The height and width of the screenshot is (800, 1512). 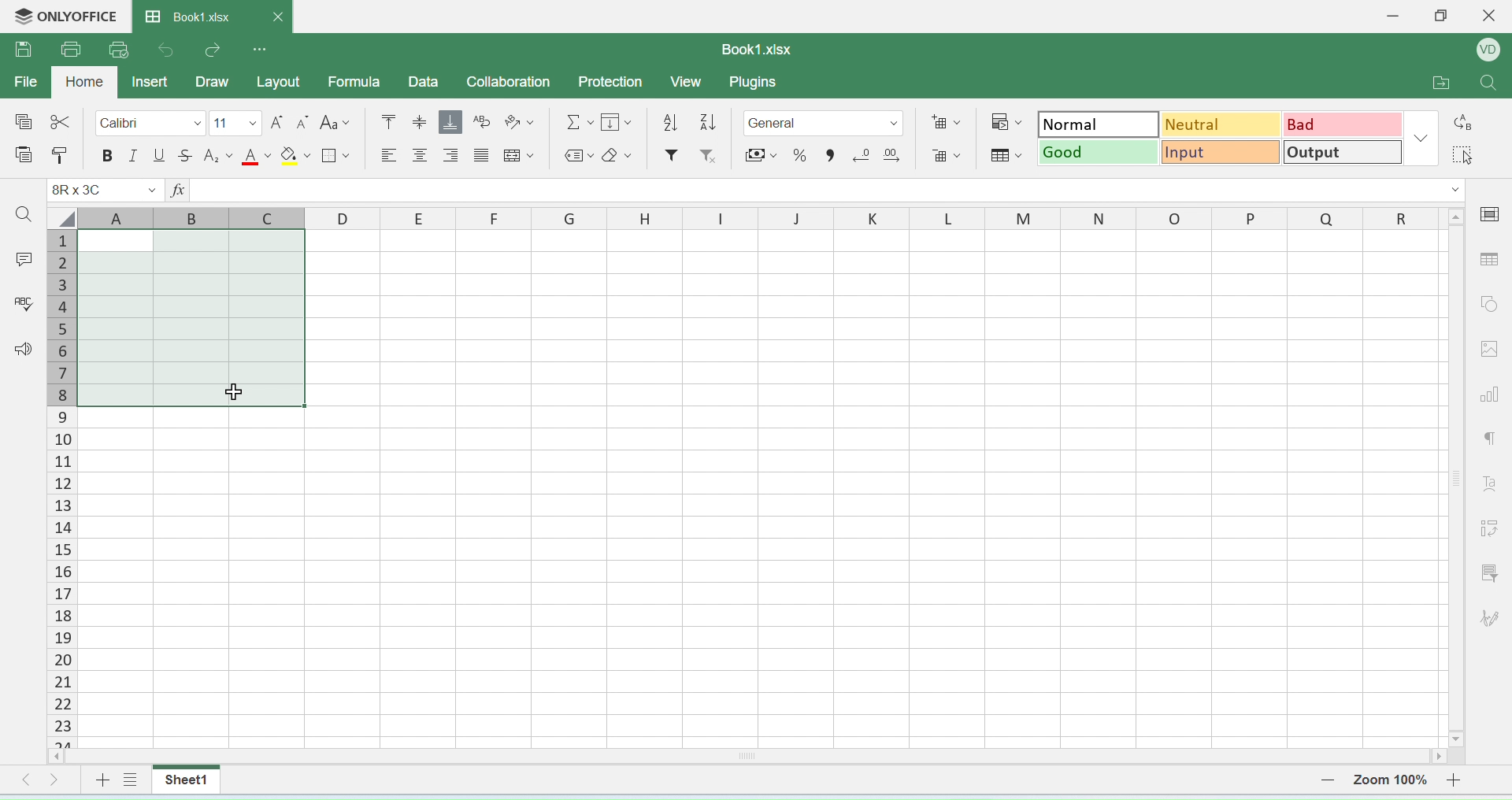 What do you see at coordinates (837, 155) in the screenshot?
I see `comma` at bounding box center [837, 155].